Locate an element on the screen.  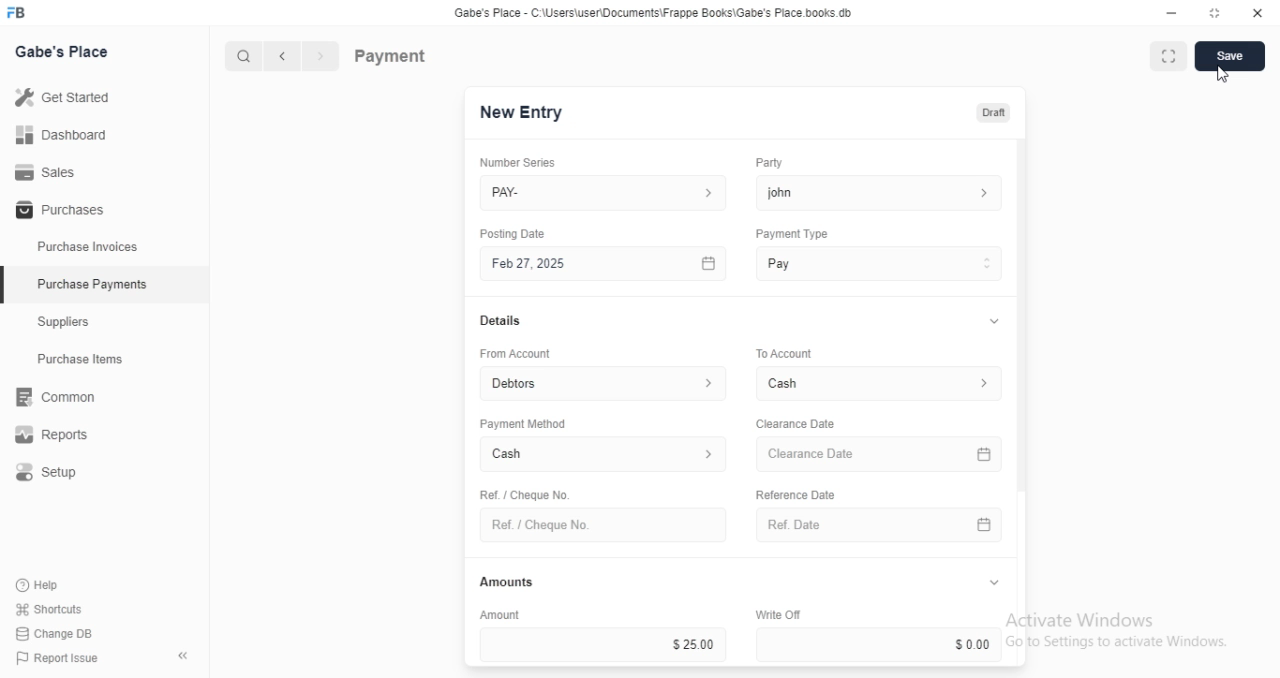
Purchases is located at coordinates (57, 211).